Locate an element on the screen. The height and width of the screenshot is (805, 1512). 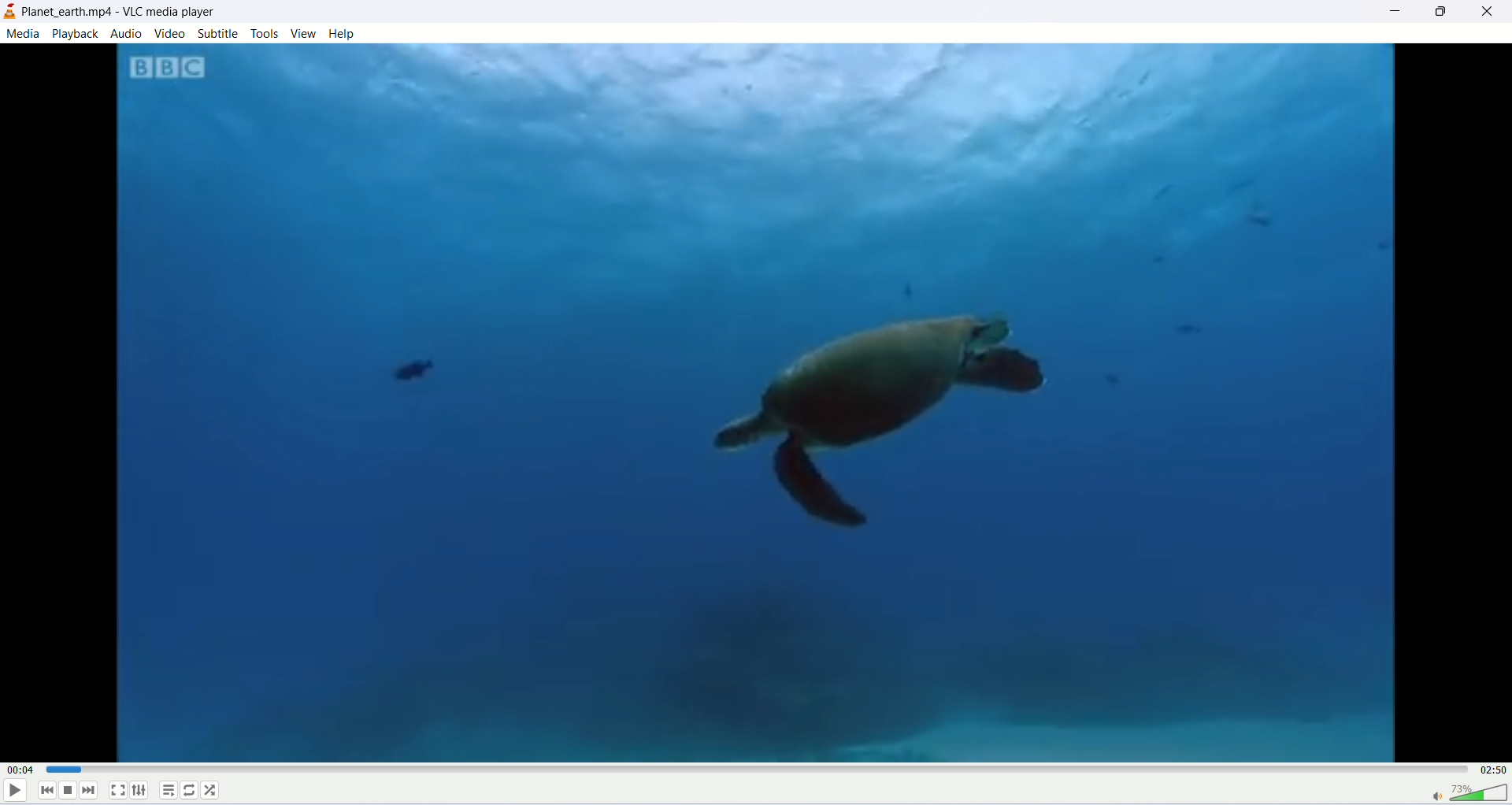
video is located at coordinates (168, 34).